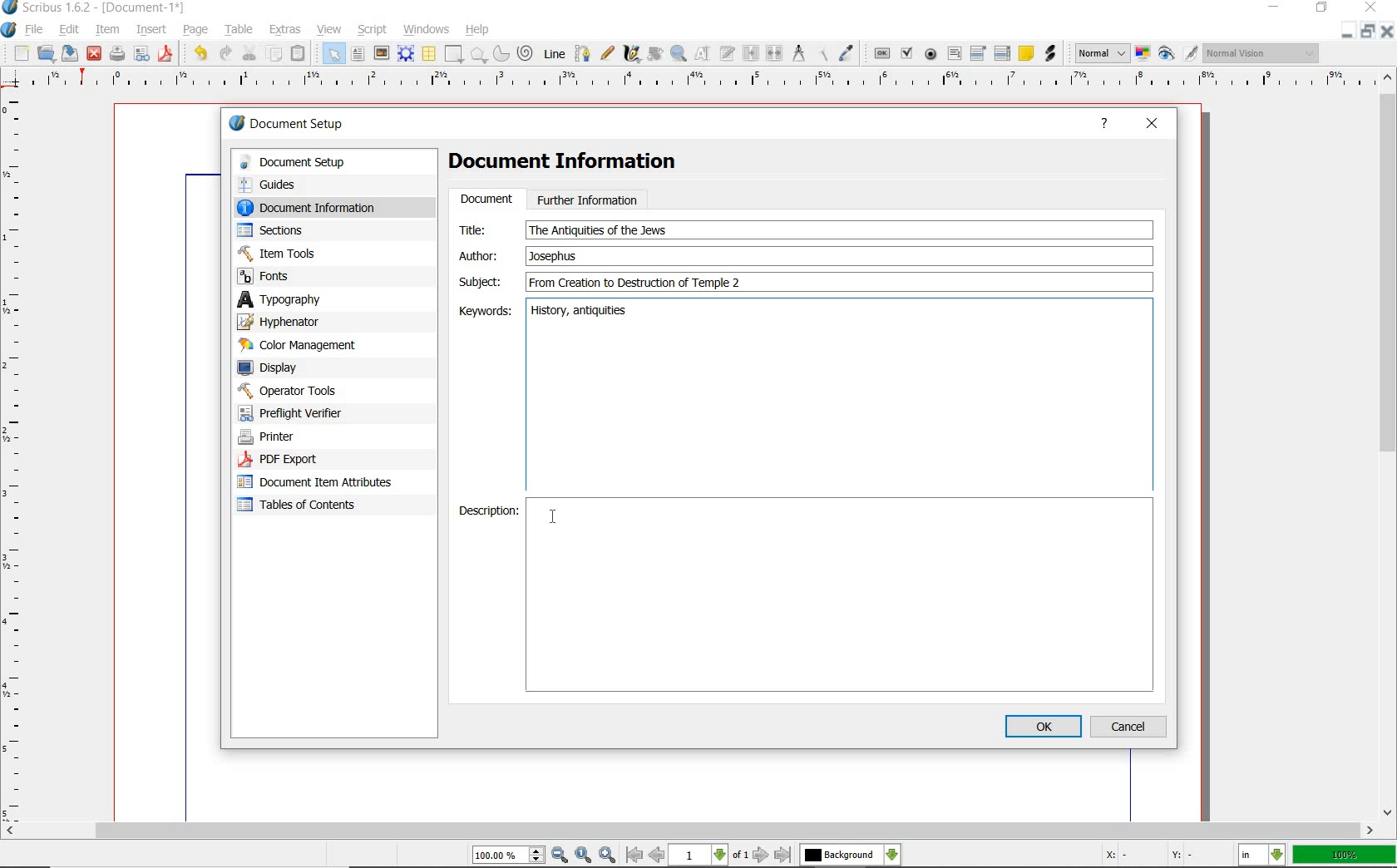 The width and height of the screenshot is (1397, 868). What do you see at coordinates (35, 28) in the screenshot?
I see `file` at bounding box center [35, 28].